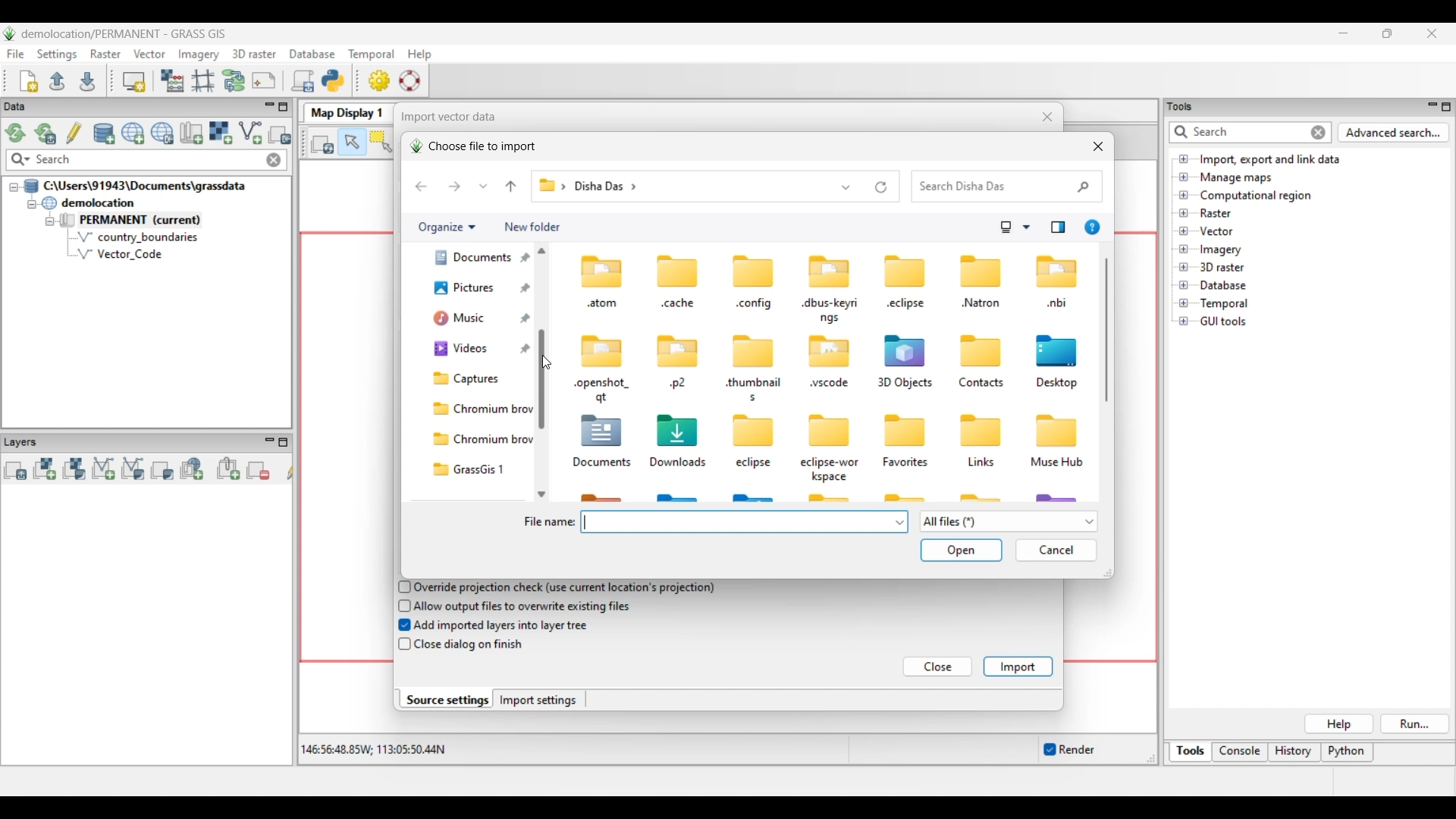 The image size is (1456, 819). I want to click on Double click to see files under Computational region, so click(1256, 196).